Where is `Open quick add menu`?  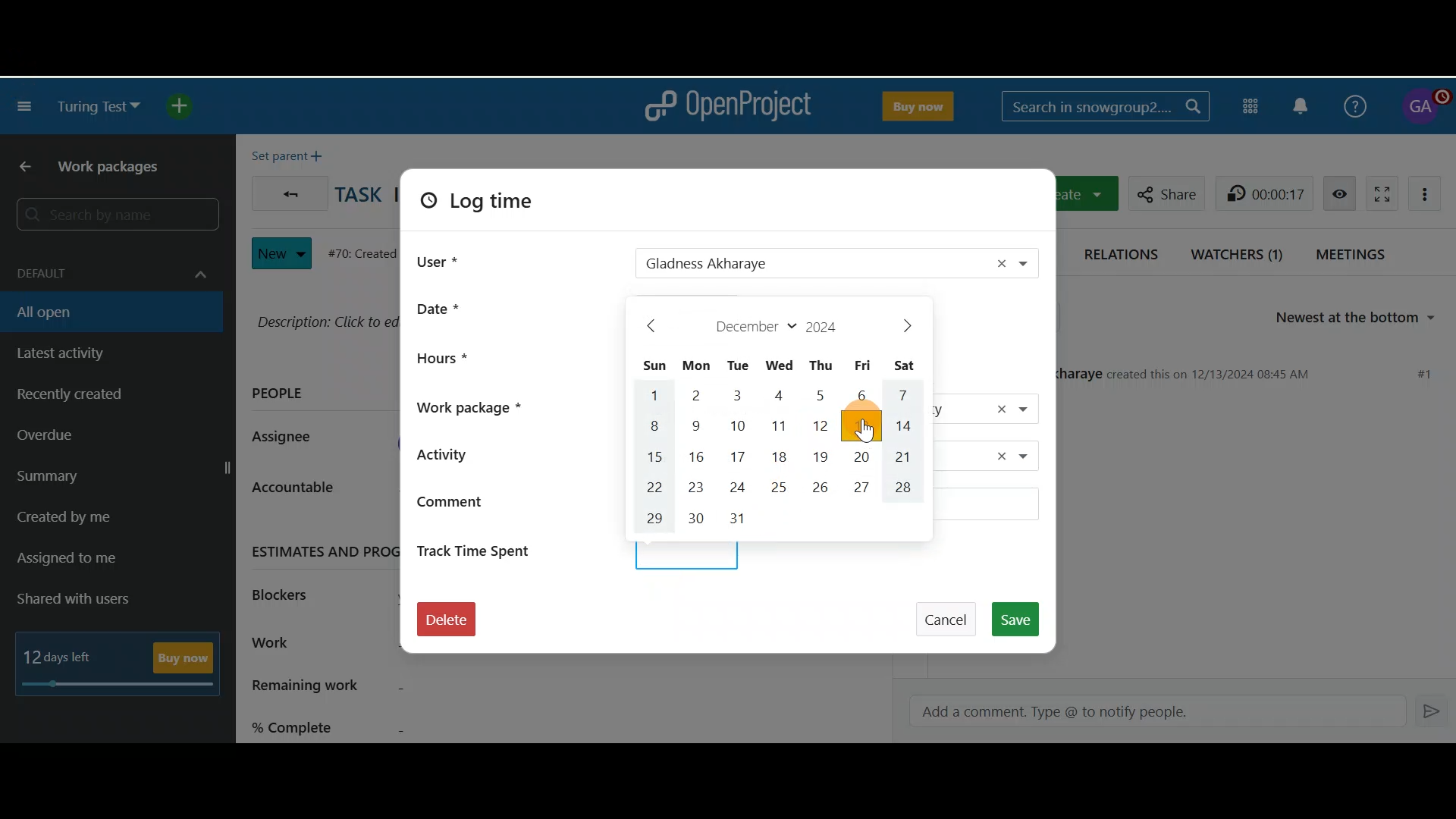 Open quick add menu is located at coordinates (187, 106).